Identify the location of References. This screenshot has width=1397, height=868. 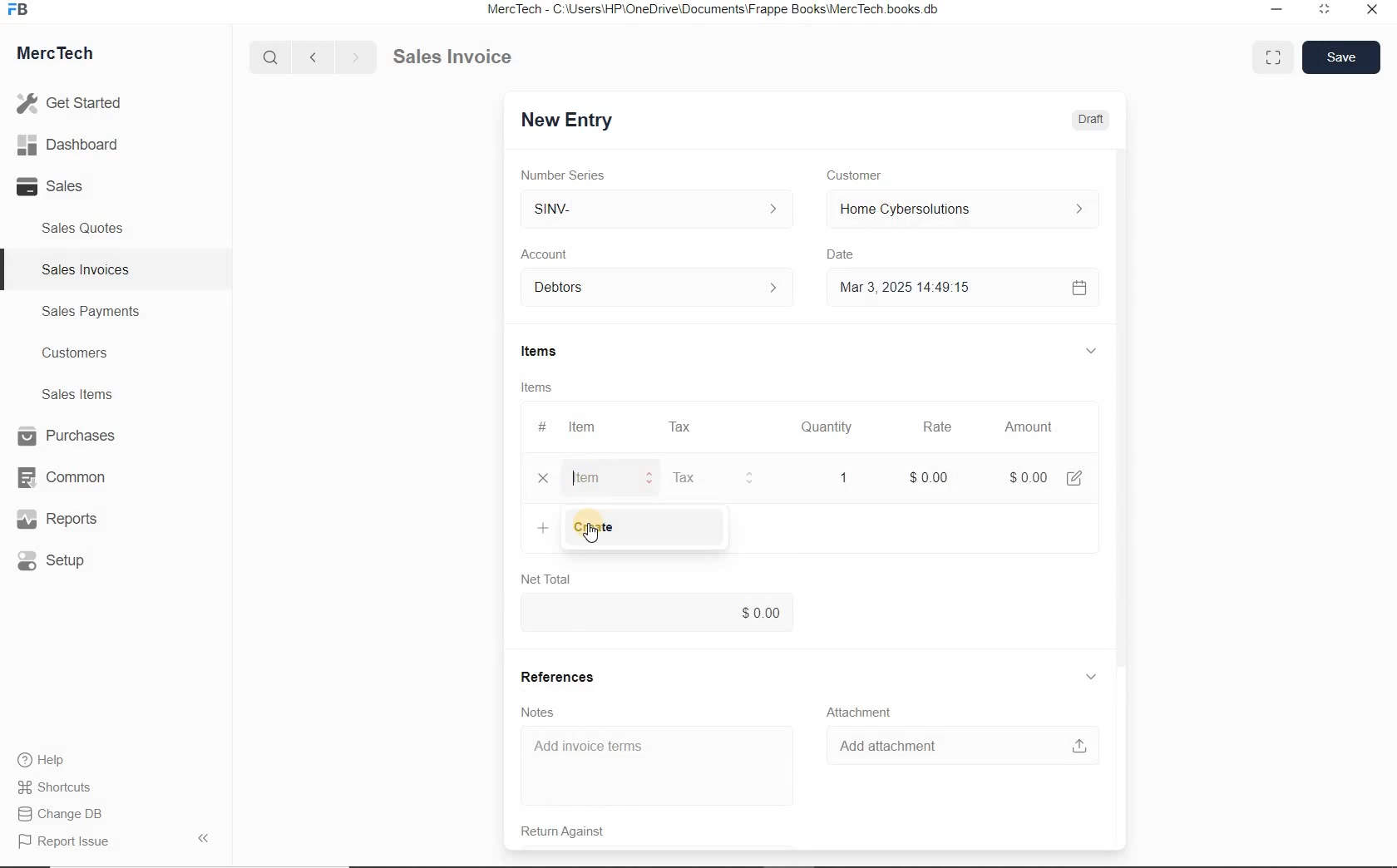
(556, 677).